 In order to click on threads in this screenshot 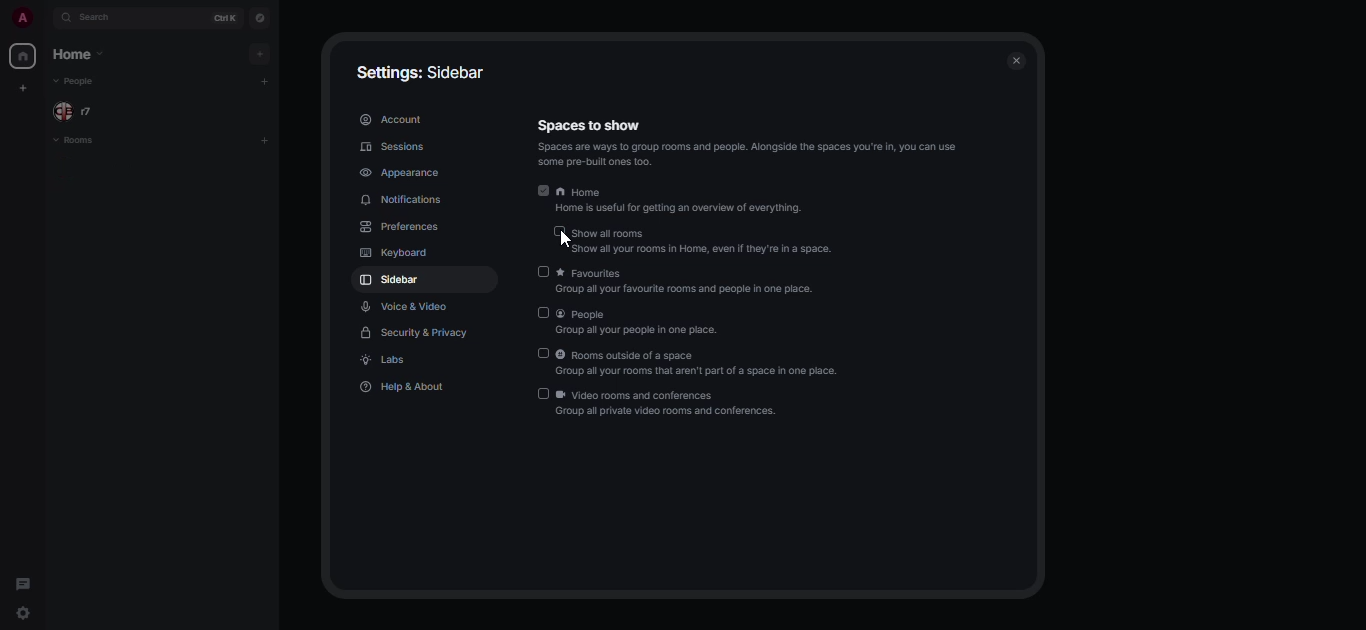, I will do `click(21, 583)`.